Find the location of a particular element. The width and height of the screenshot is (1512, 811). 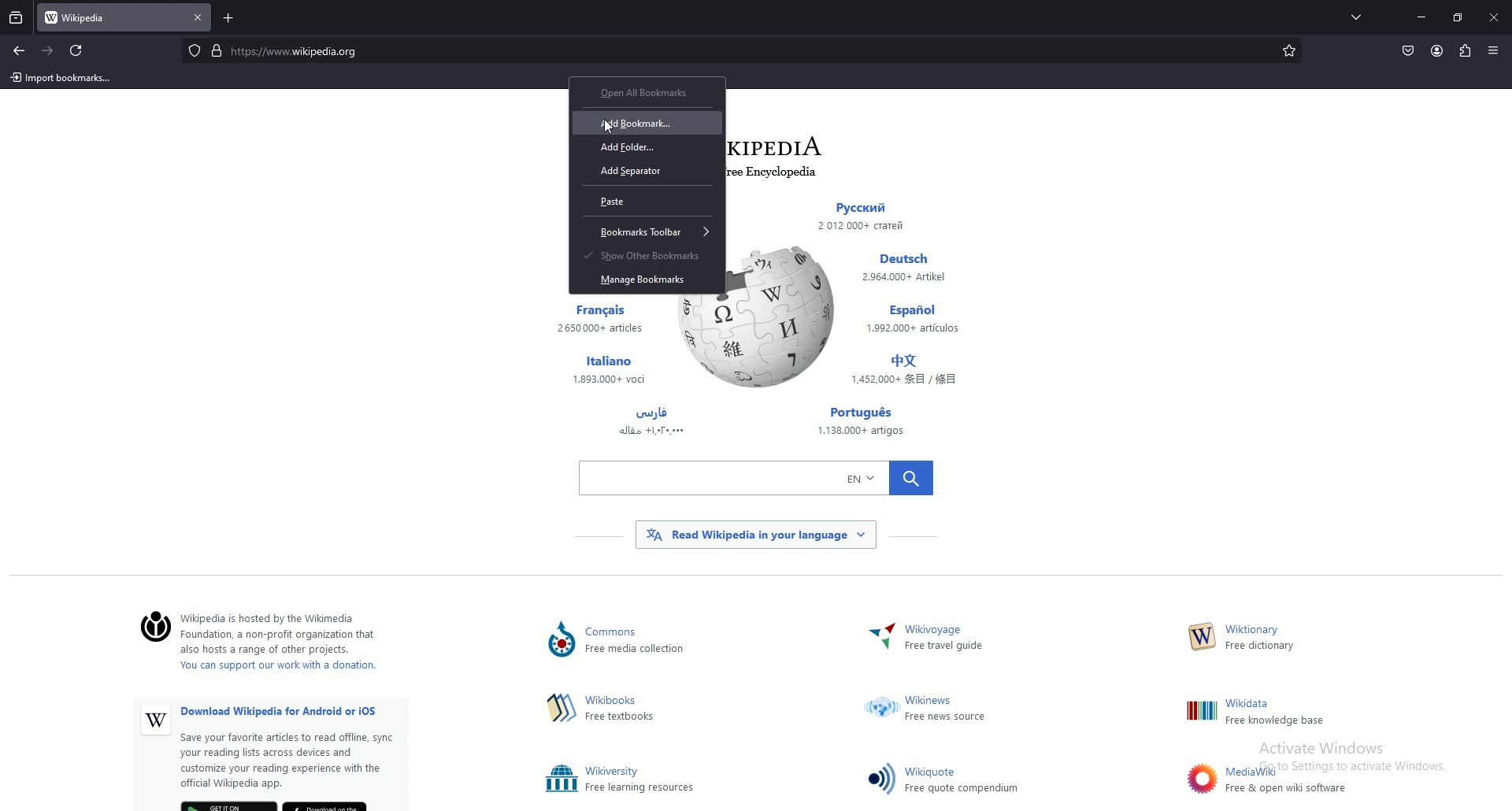

 is located at coordinates (609, 371).